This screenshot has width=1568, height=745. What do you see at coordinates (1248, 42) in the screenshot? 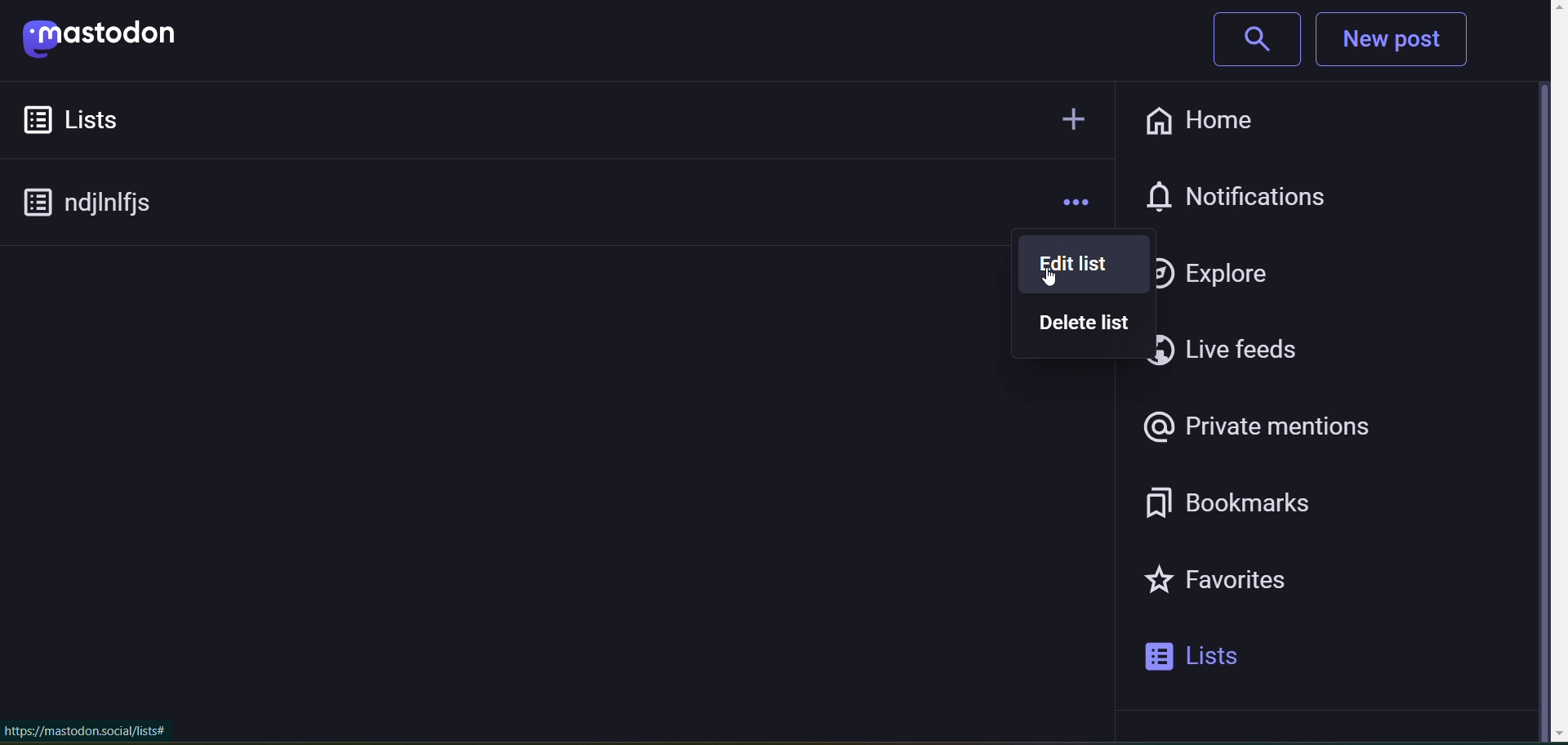
I see `search bar` at bounding box center [1248, 42].